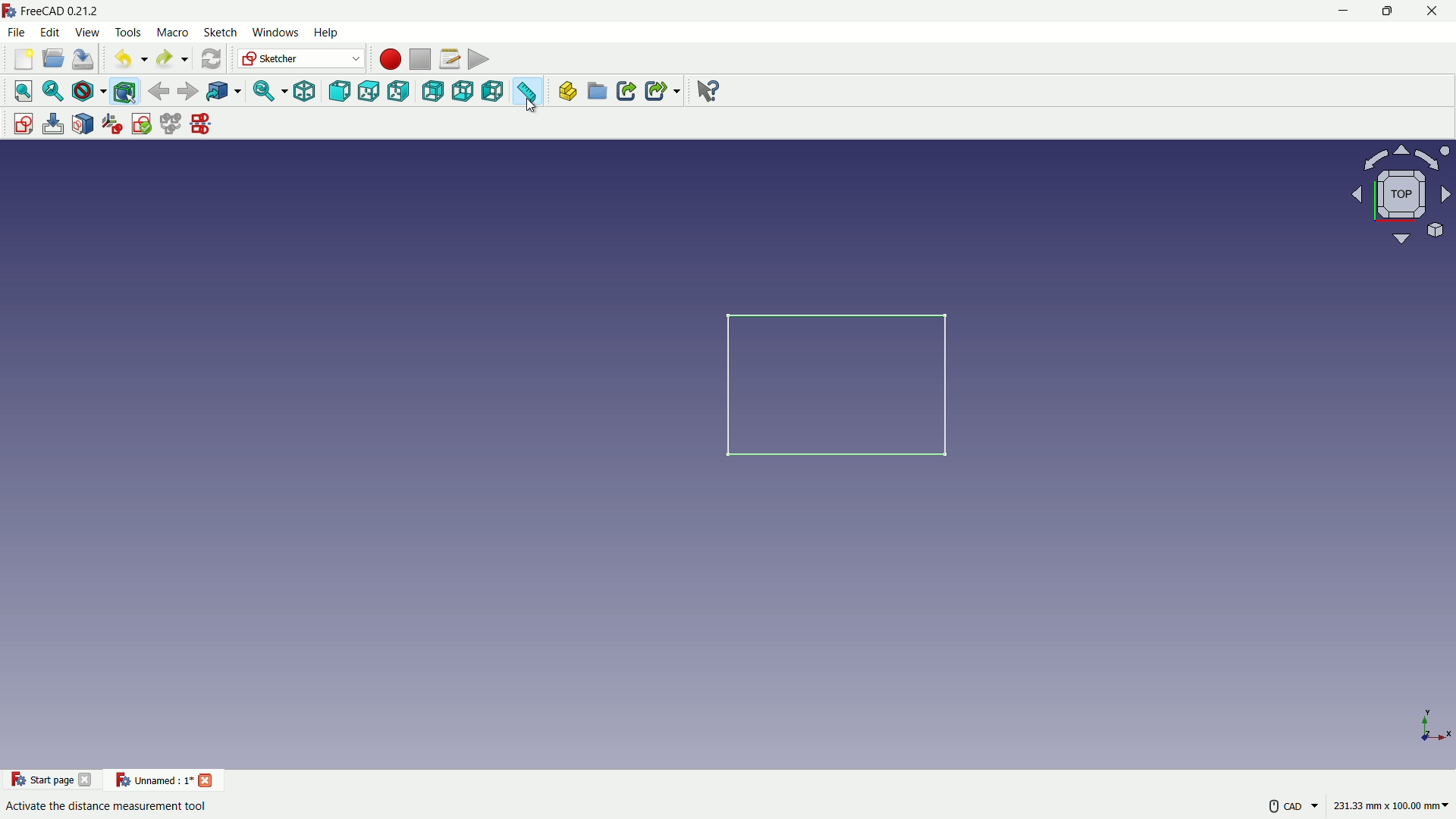  I want to click on tools menu, so click(127, 32).